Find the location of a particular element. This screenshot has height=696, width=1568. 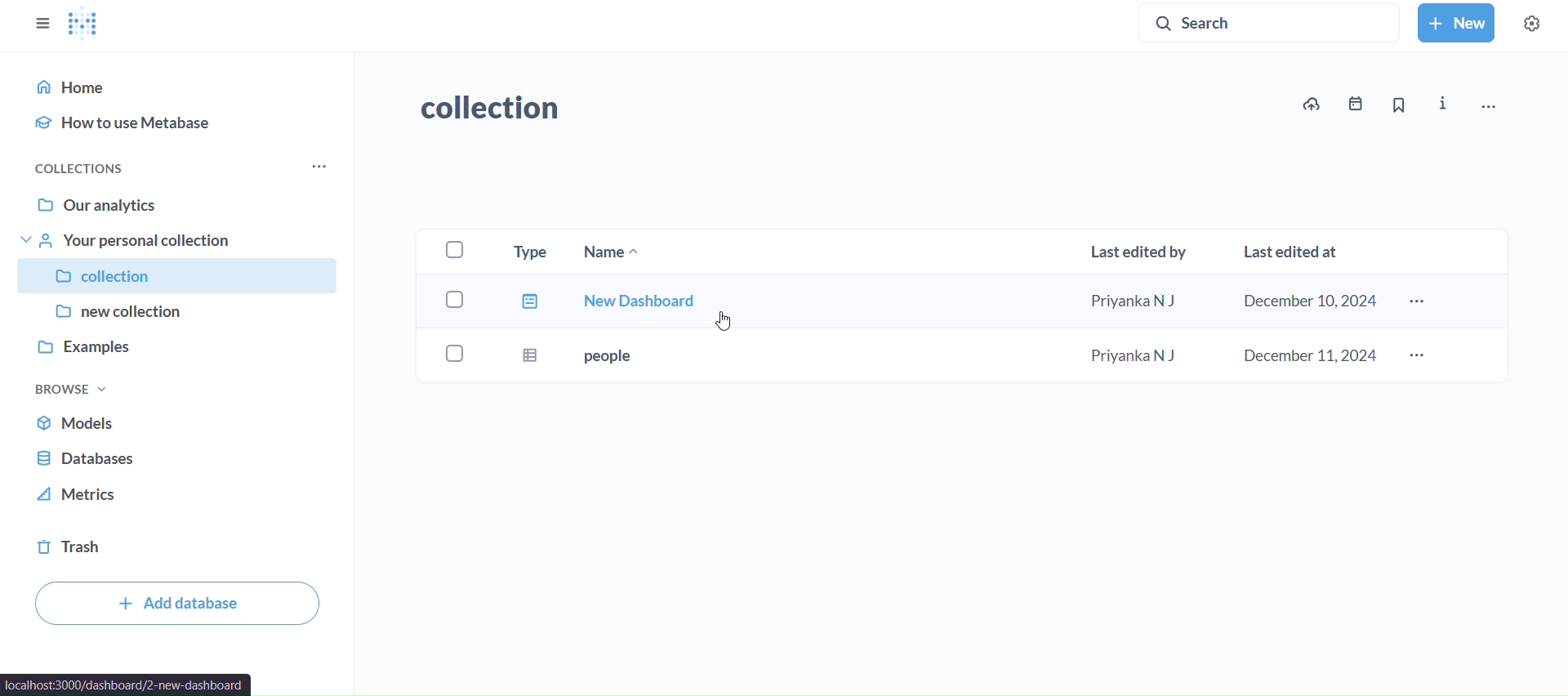

close sidebars is located at coordinates (41, 25).